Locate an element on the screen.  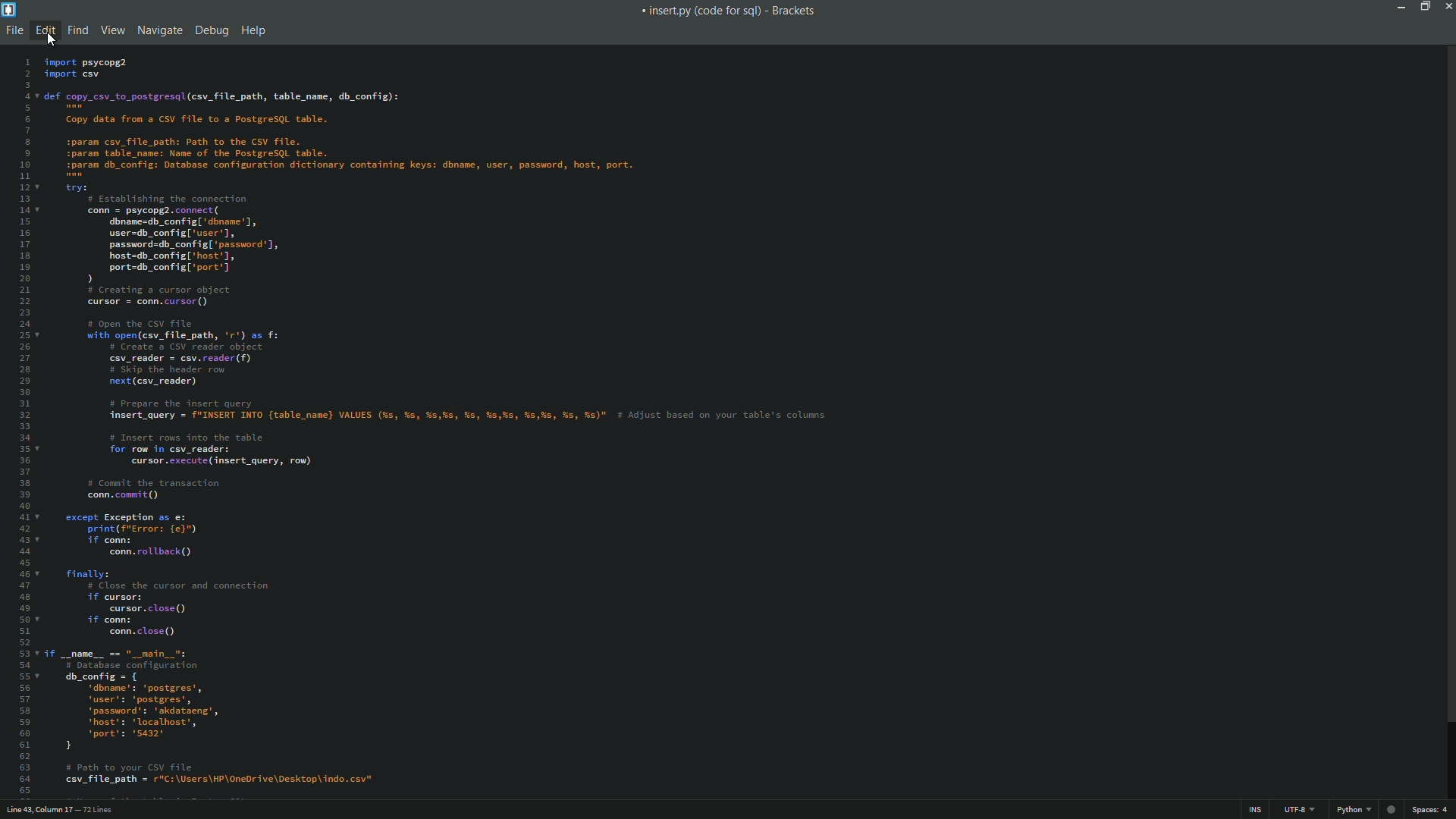
close app is located at coordinates (1447, 6).